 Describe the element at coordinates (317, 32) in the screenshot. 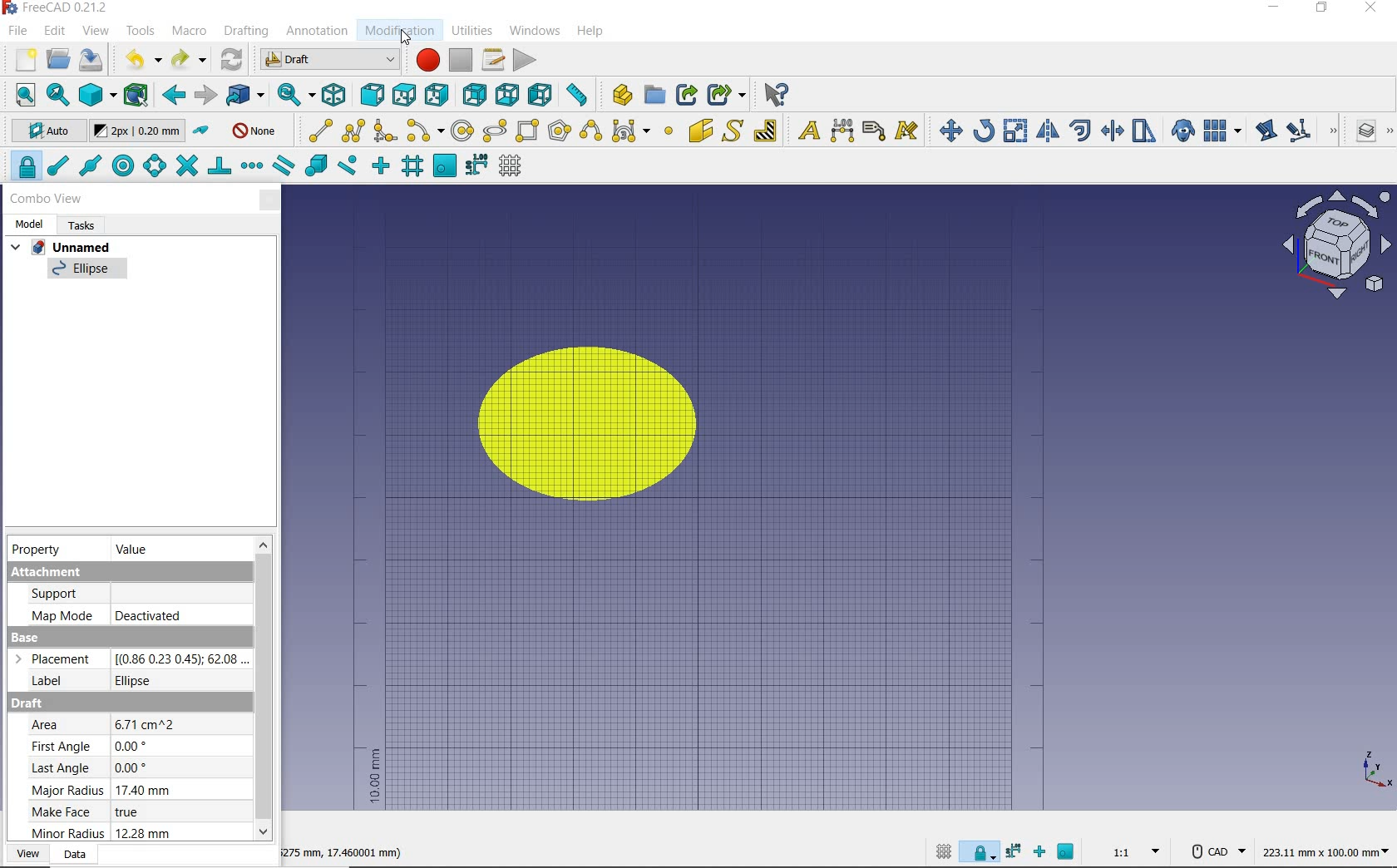

I see `annotation` at that location.